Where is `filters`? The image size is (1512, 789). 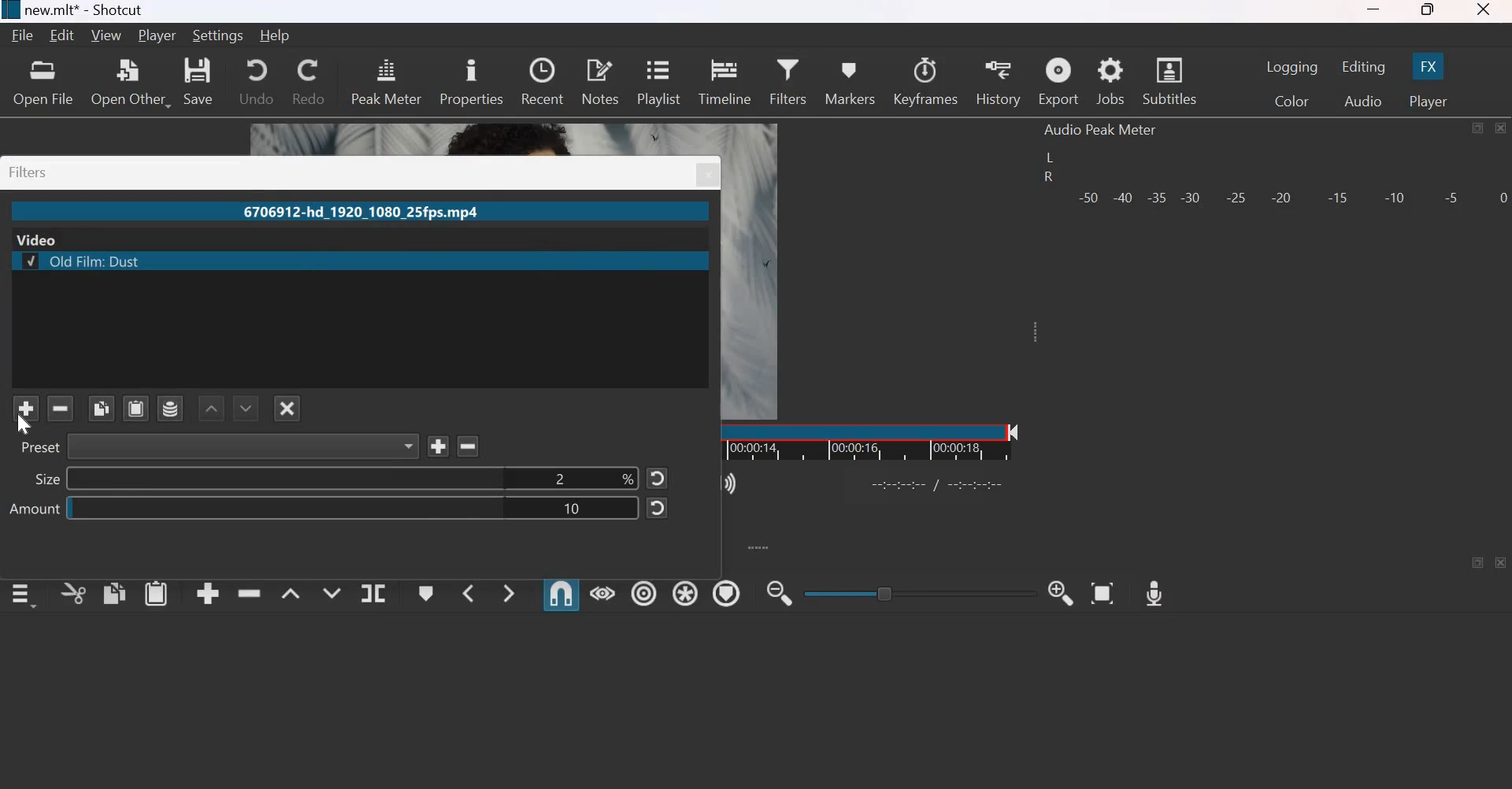
filters is located at coordinates (30, 172).